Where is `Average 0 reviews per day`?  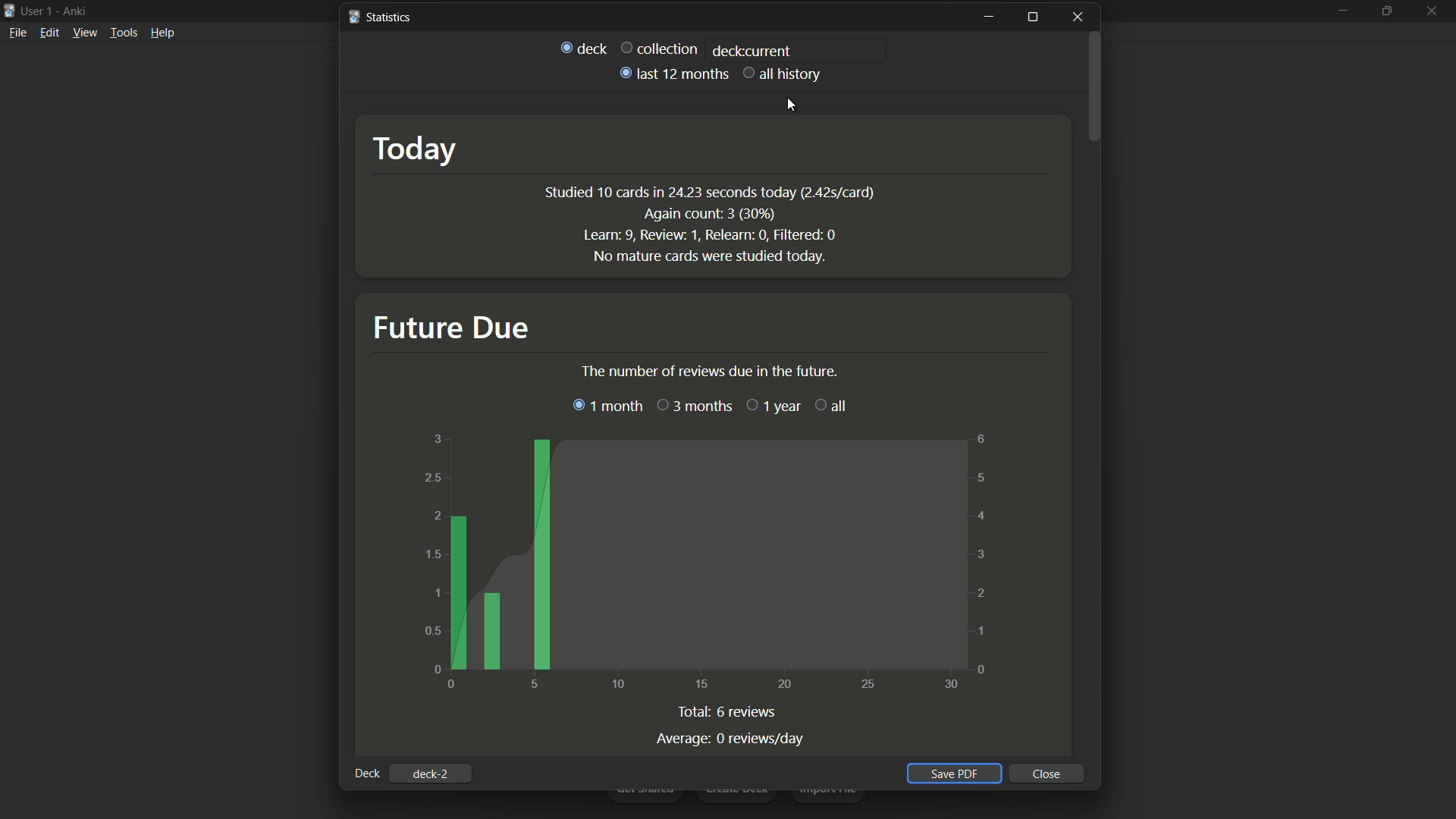 Average 0 reviews per day is located at coordinates (731, 739).